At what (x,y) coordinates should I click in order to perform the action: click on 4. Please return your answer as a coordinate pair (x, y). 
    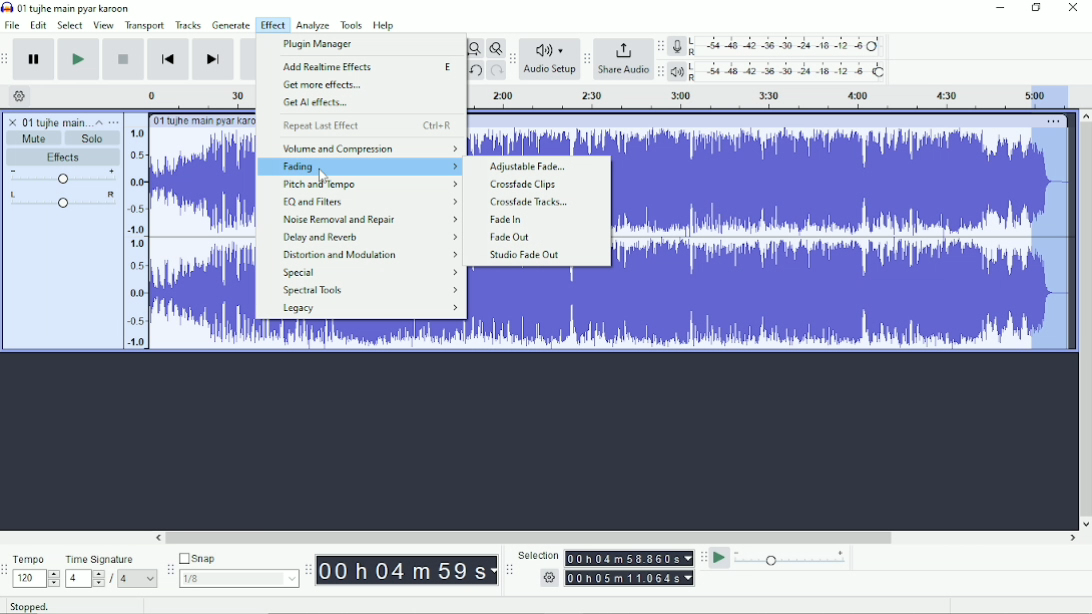
    Looking at the image, I should click on (84, 580).